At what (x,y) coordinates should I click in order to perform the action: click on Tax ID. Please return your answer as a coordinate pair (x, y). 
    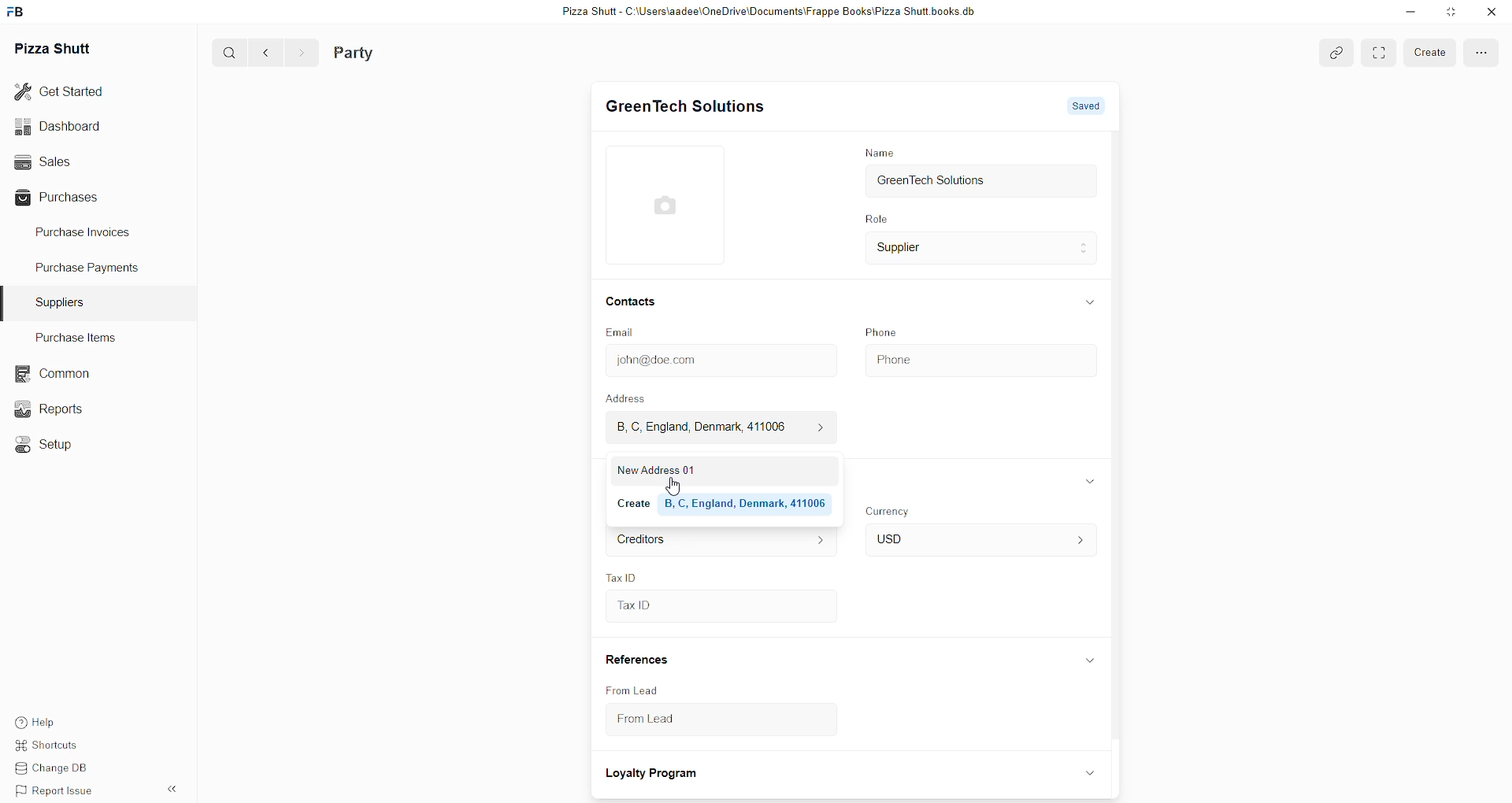
    Looking at the image, I should click on (622, 575).